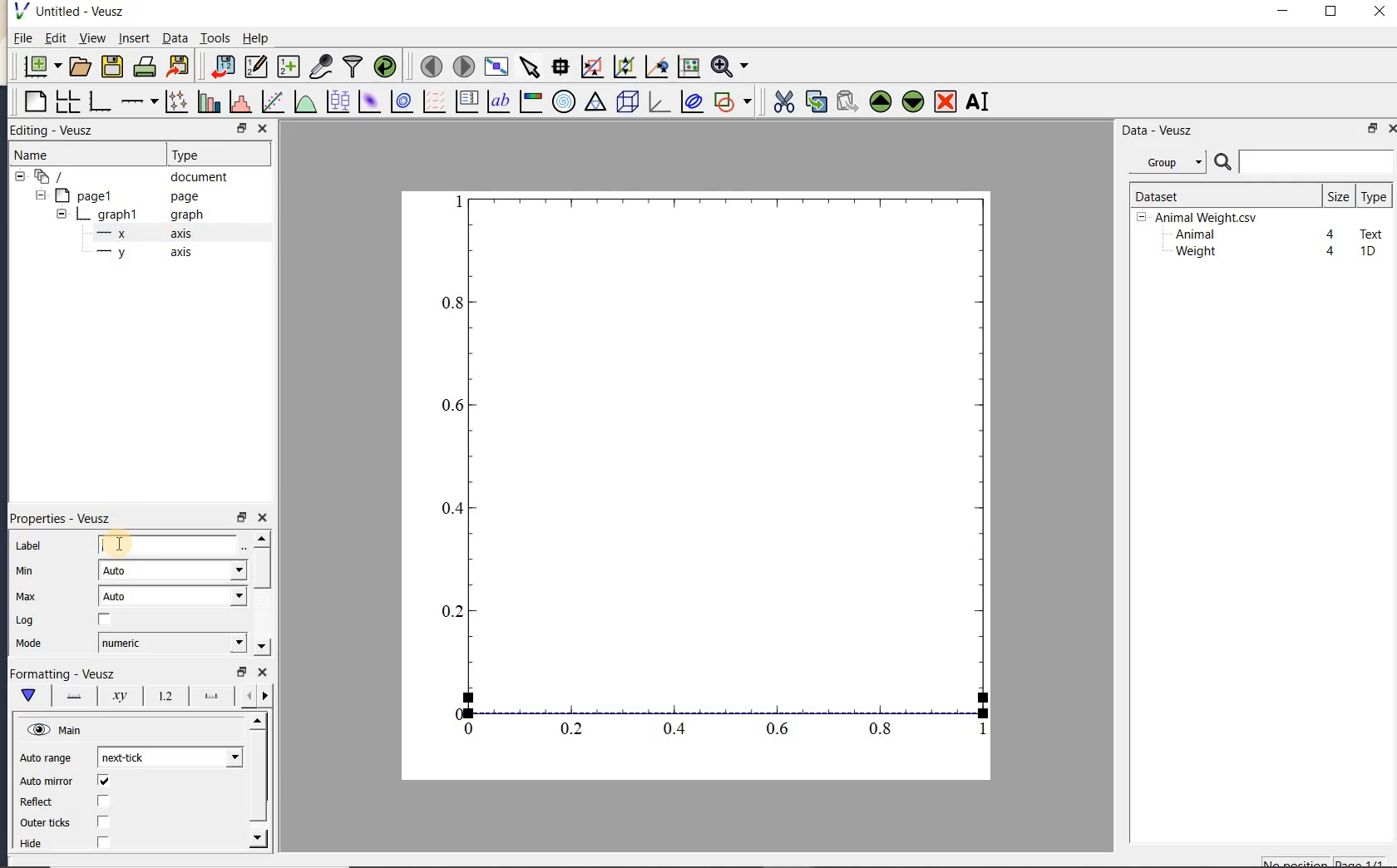 The width and height of the screenshot is (1397, 868). What do you see at coordinates (913, 101) in the screenshot?
I see `move the selected widget down` at bounding box center [913, 101].